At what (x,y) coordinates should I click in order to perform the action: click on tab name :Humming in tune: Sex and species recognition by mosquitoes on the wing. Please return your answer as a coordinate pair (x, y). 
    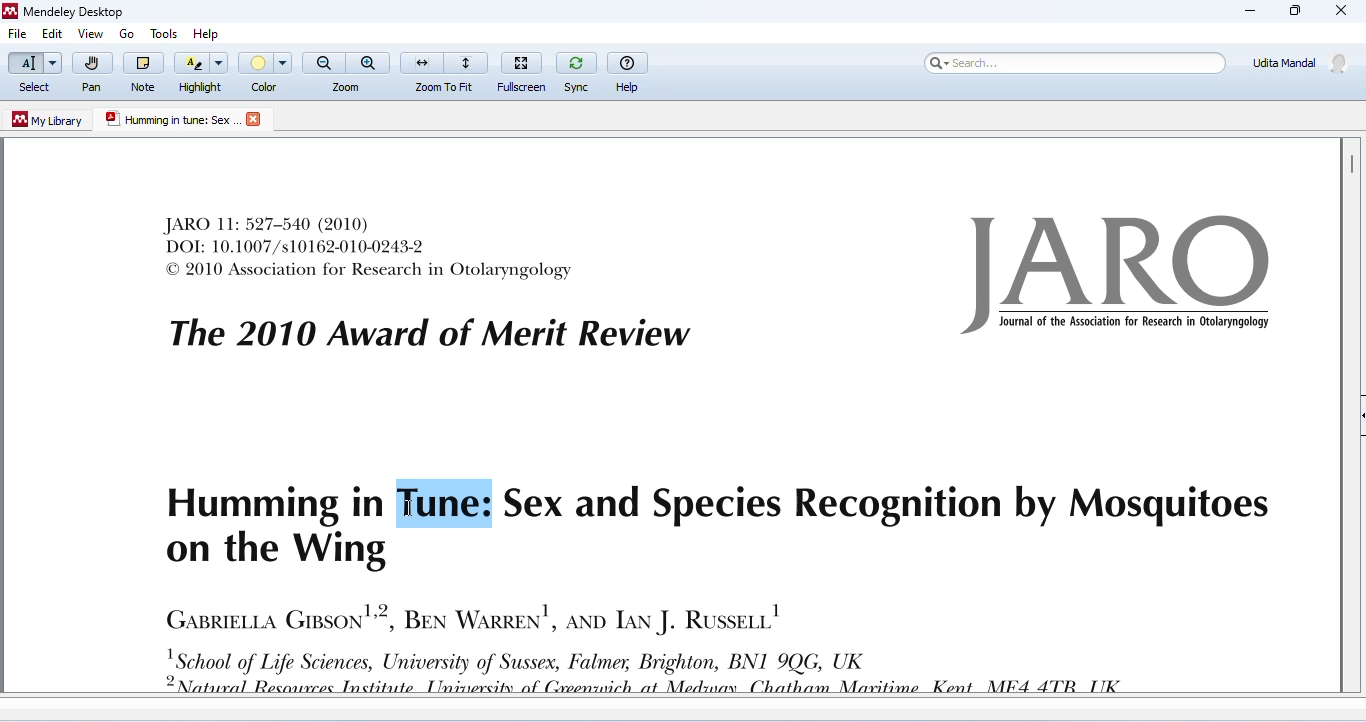
    Looking at the image, I should click on (171, 120).